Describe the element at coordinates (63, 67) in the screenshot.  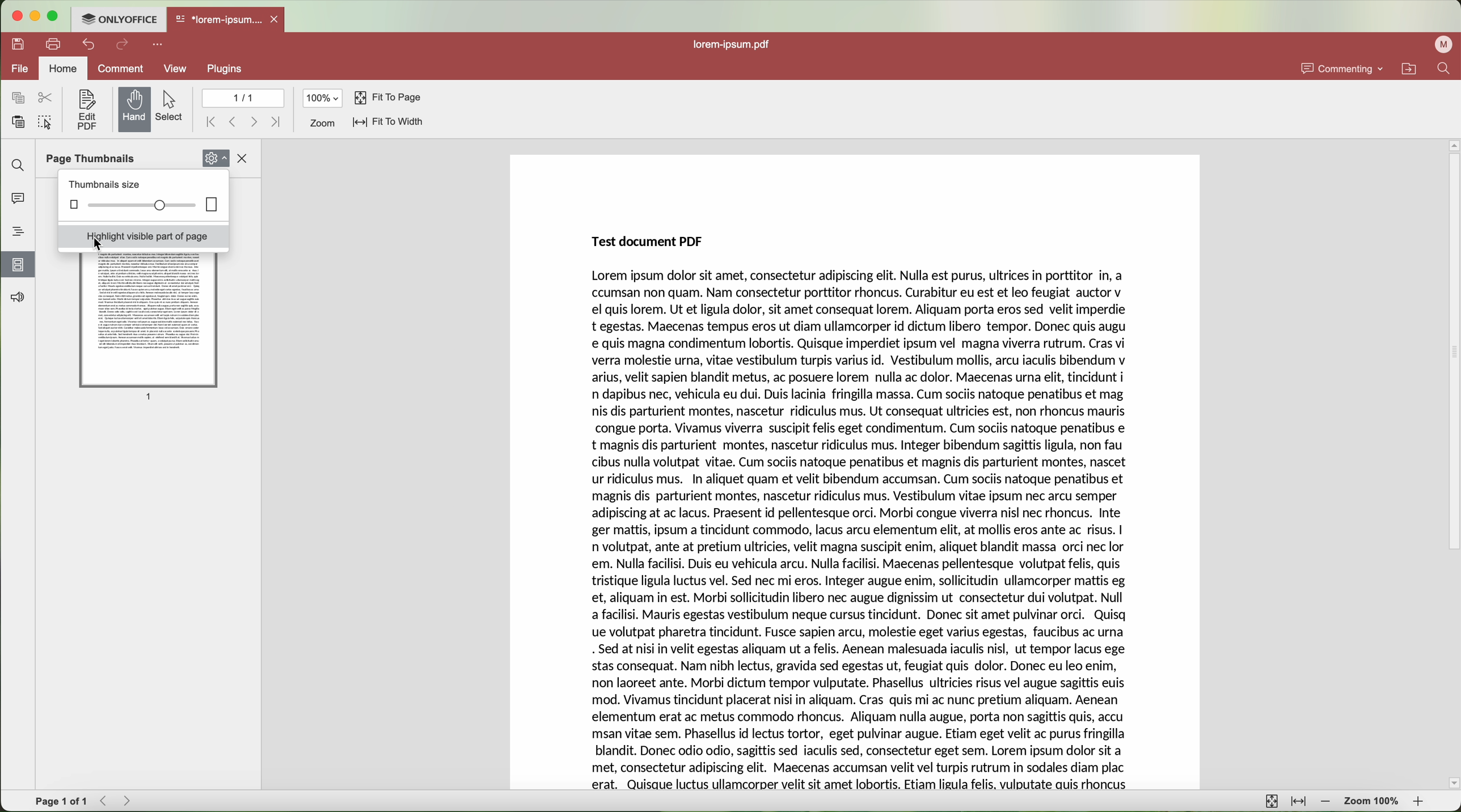
I see `home` at that location.